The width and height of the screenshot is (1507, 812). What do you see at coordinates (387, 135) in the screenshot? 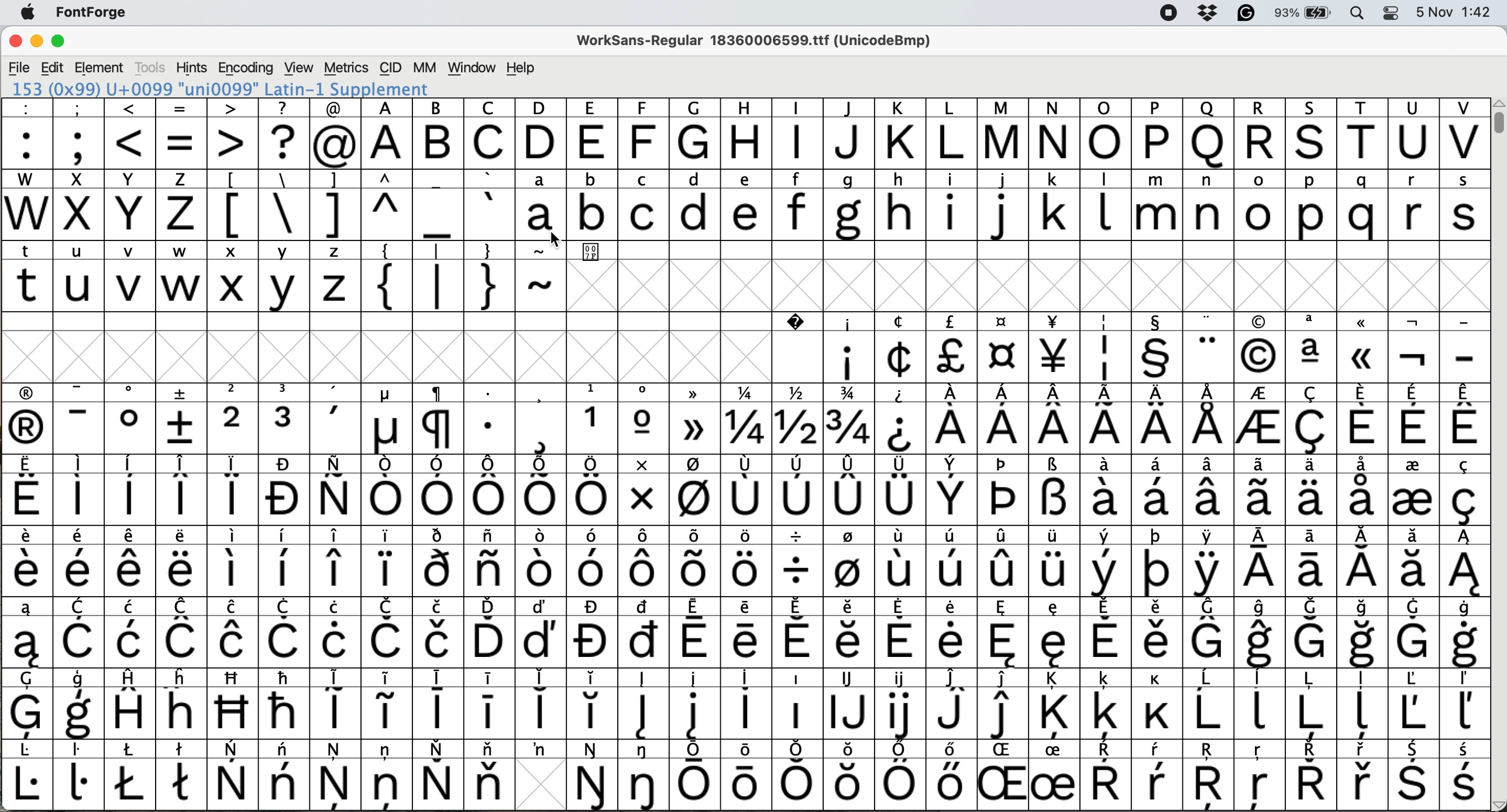
I see `A` at bounding box center [387, 135].